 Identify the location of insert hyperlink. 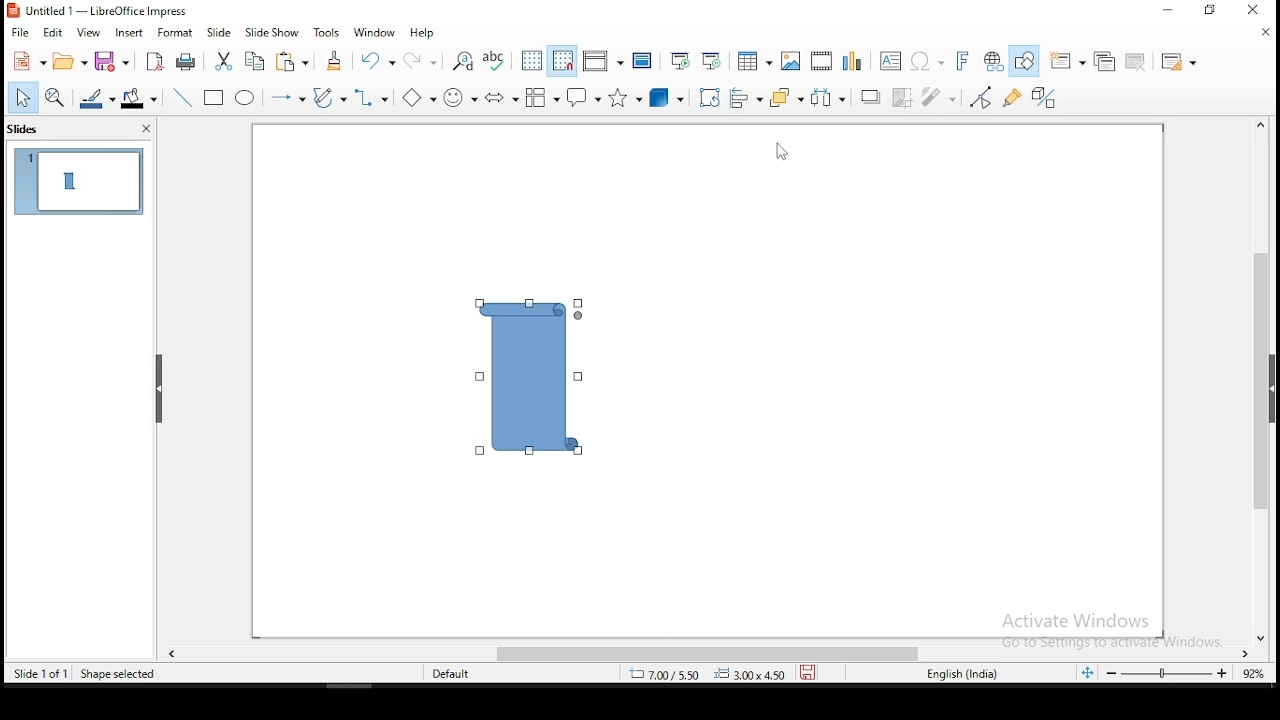
(994, 59).